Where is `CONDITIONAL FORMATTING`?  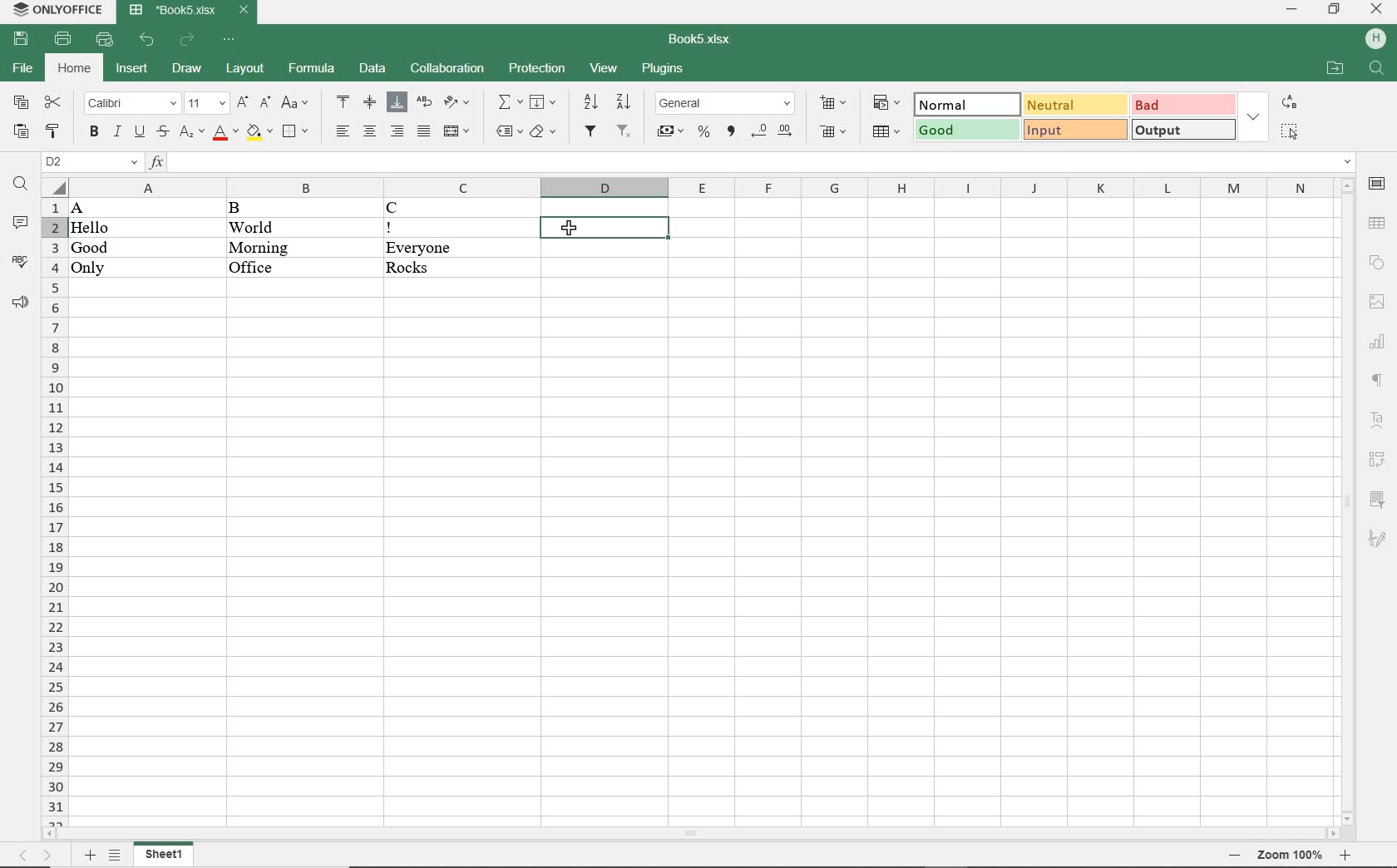 CONDITIONAL FORMATTING is located at coordinates (887, 103).